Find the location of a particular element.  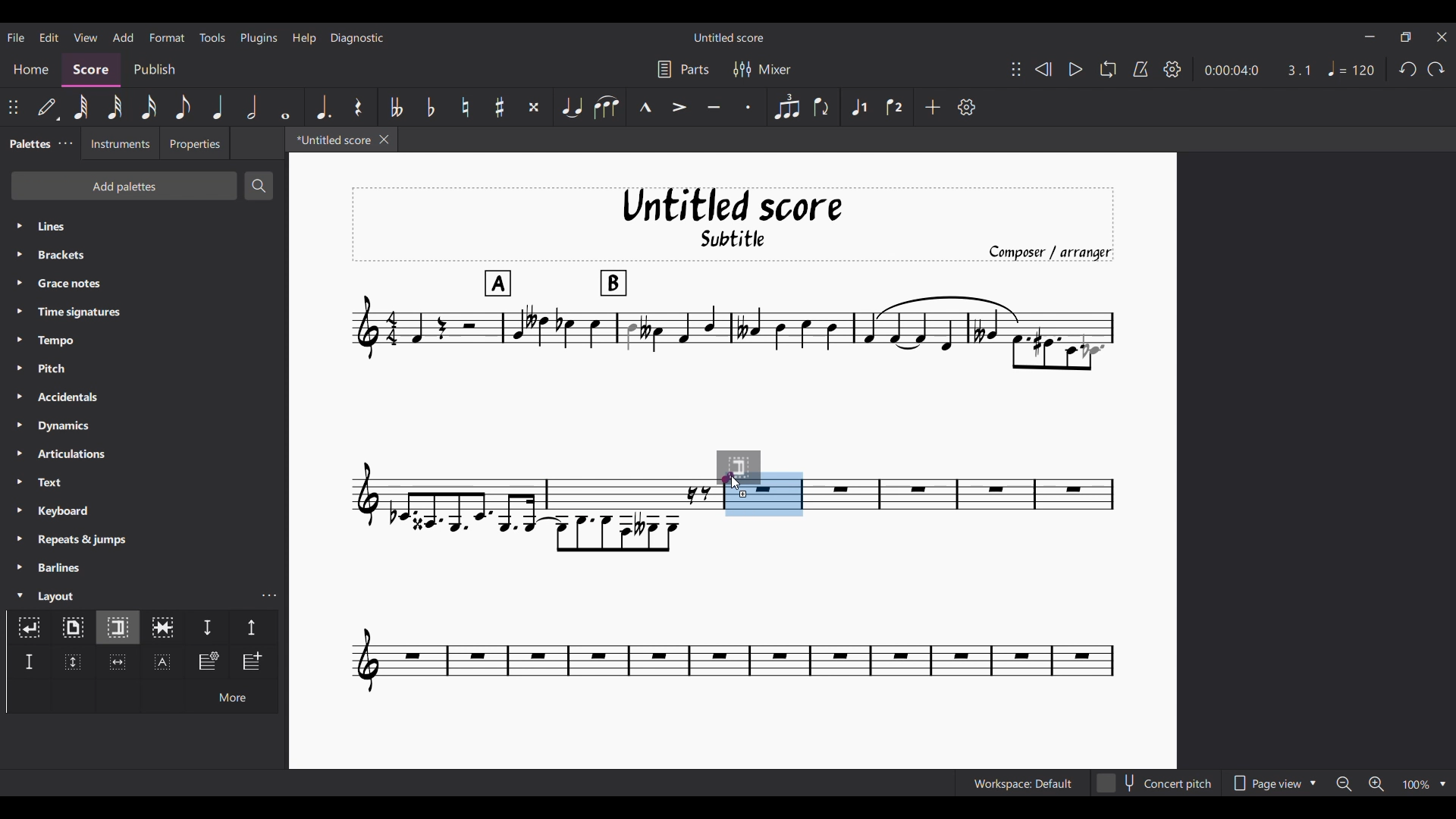

Zoom out is located at coordinates (1345, 783).